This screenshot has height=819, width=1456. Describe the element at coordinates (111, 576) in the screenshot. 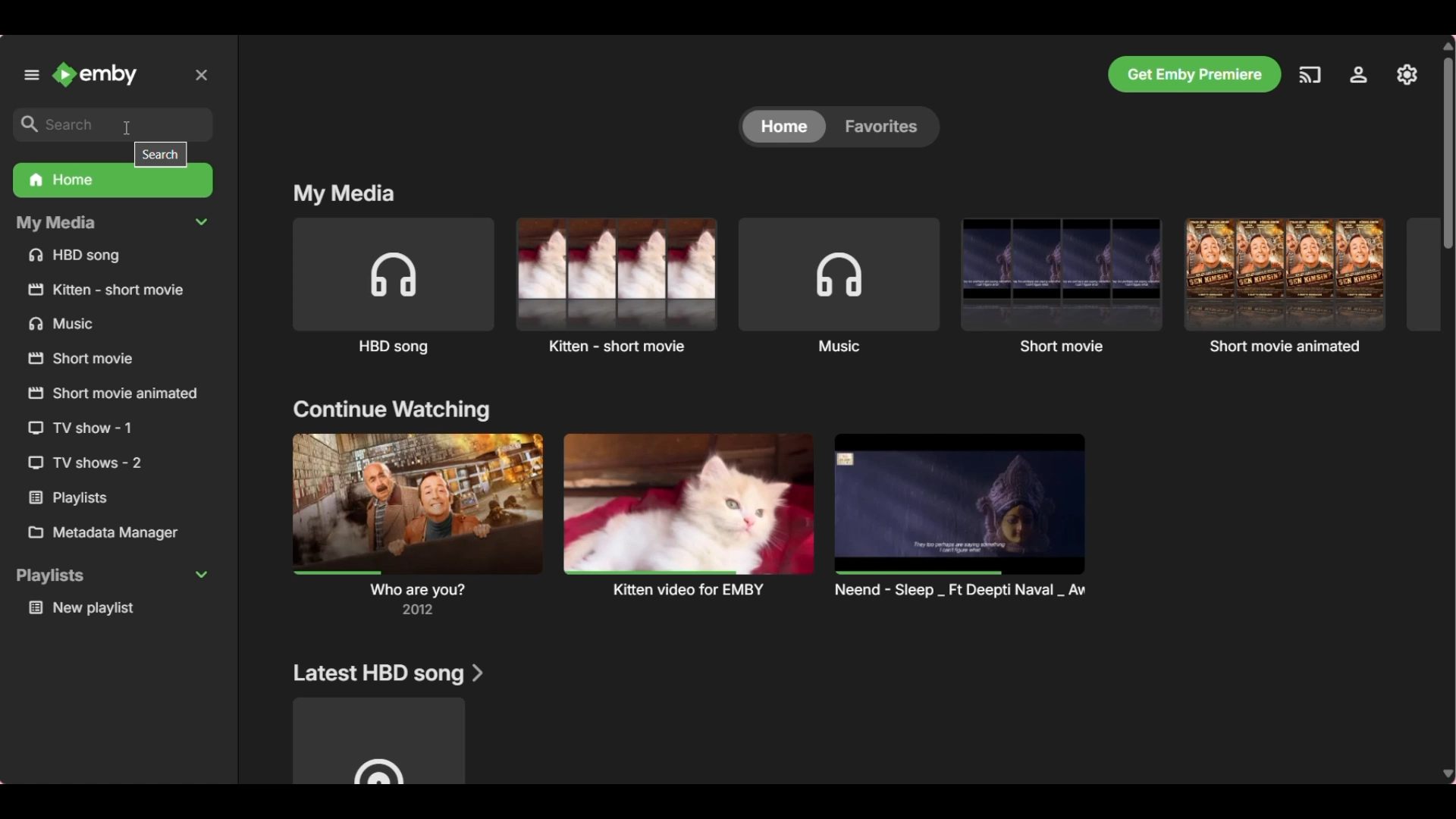

I see `Collapse Playlists` at that location.